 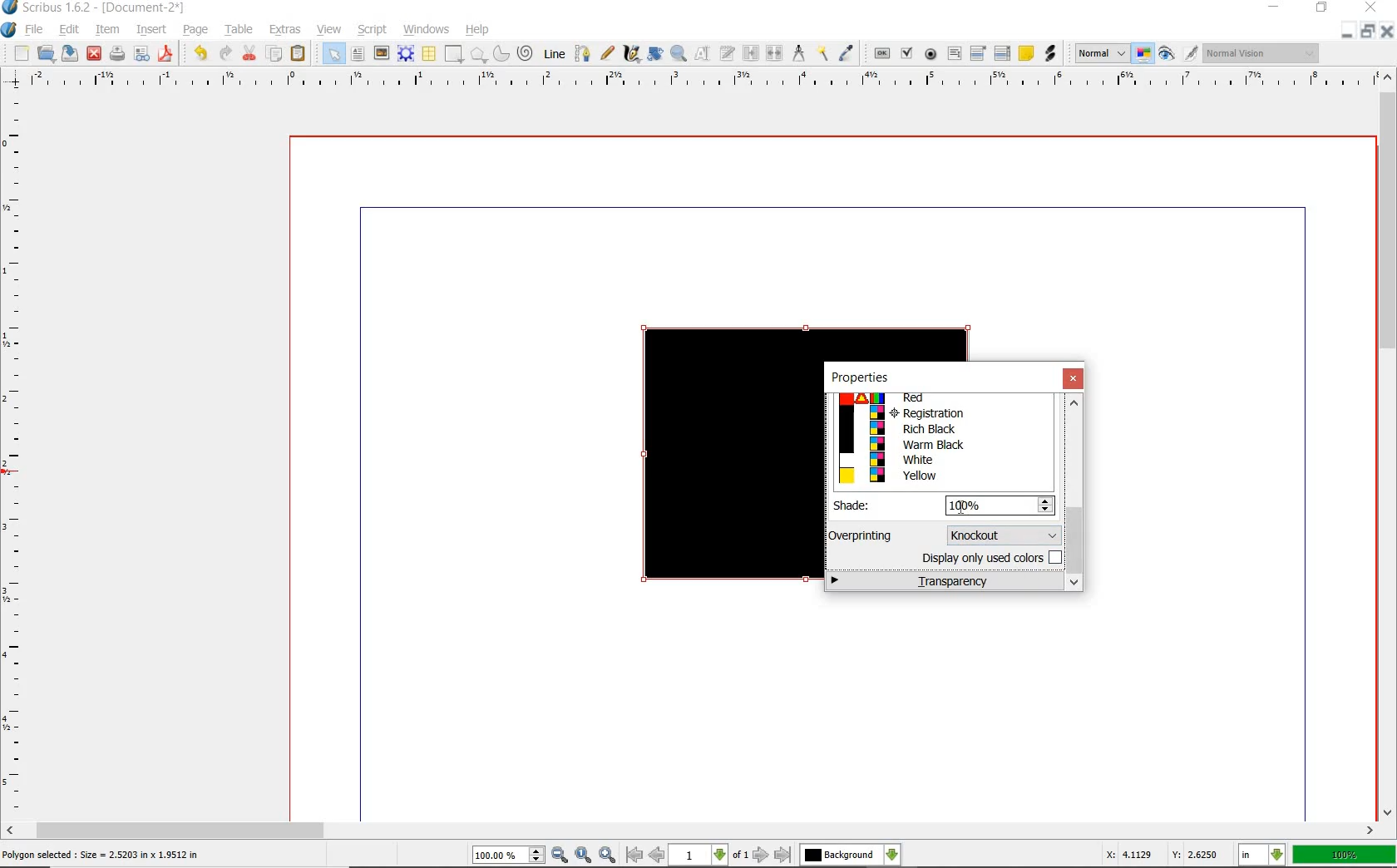 I want to click on insert, so click(x=154, y=29).